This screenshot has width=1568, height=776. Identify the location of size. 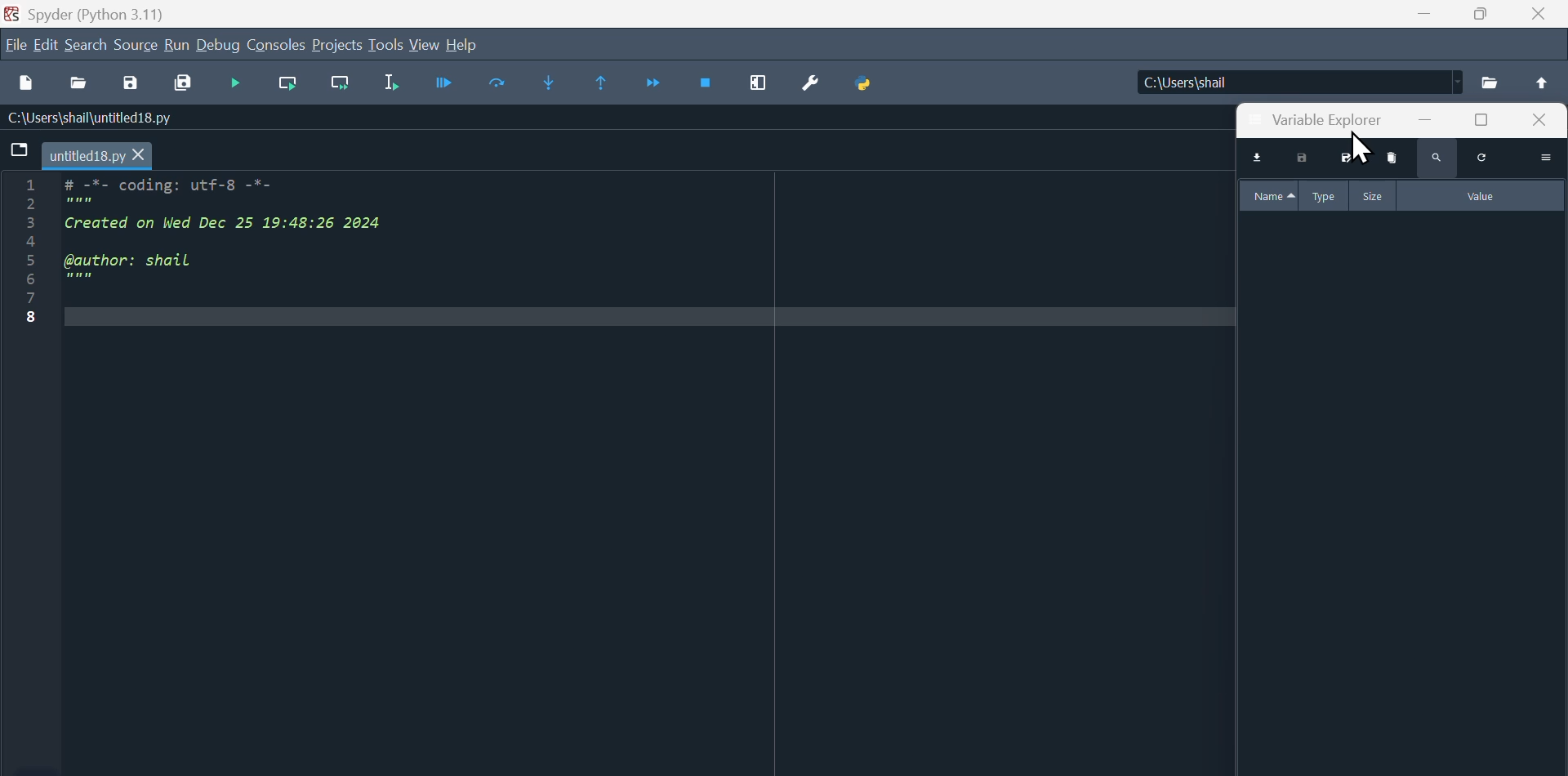
(1373, 195).